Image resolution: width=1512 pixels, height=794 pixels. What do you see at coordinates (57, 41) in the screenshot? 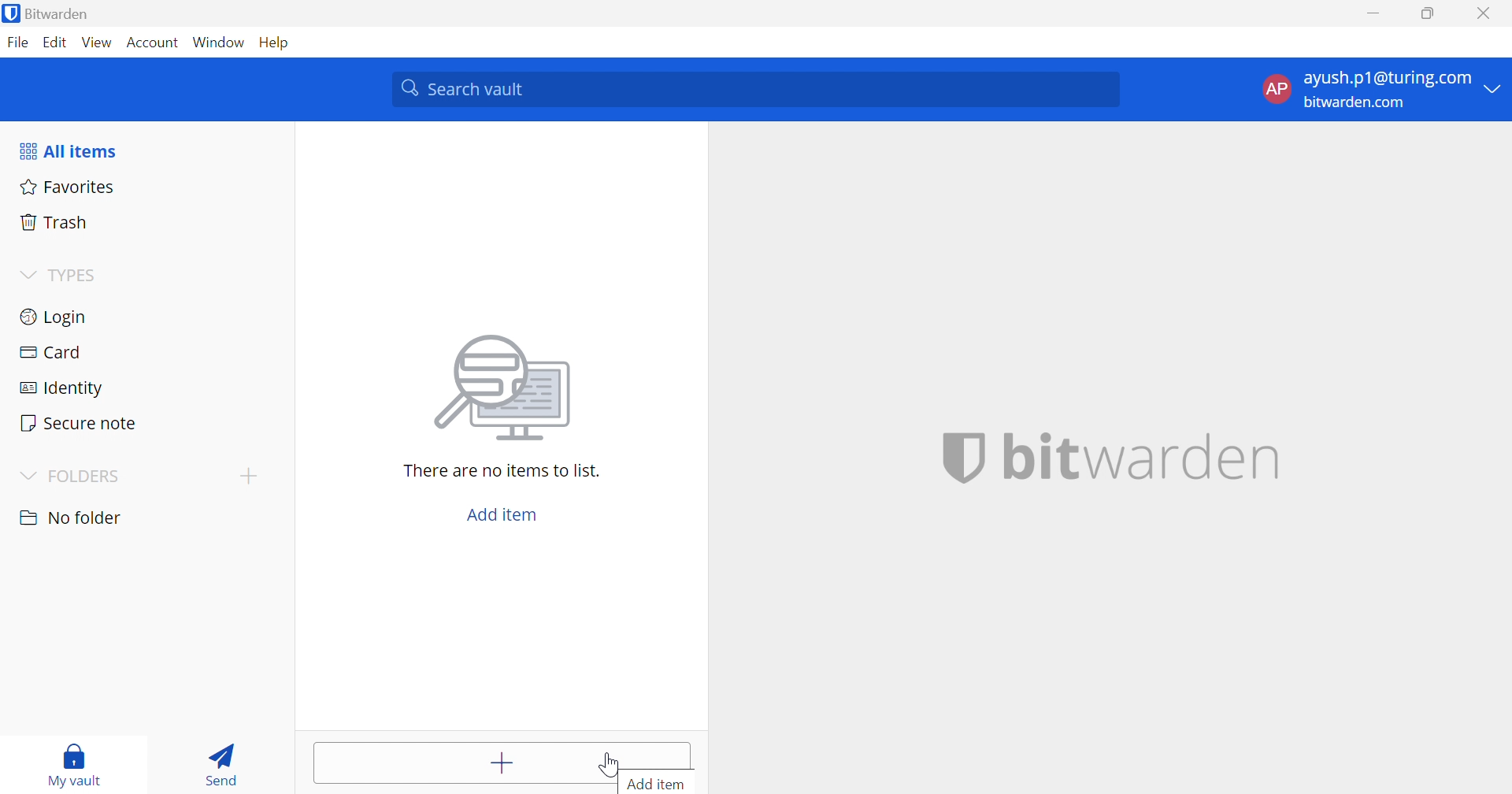
I see `Edit` at bounding box center [57, 41].